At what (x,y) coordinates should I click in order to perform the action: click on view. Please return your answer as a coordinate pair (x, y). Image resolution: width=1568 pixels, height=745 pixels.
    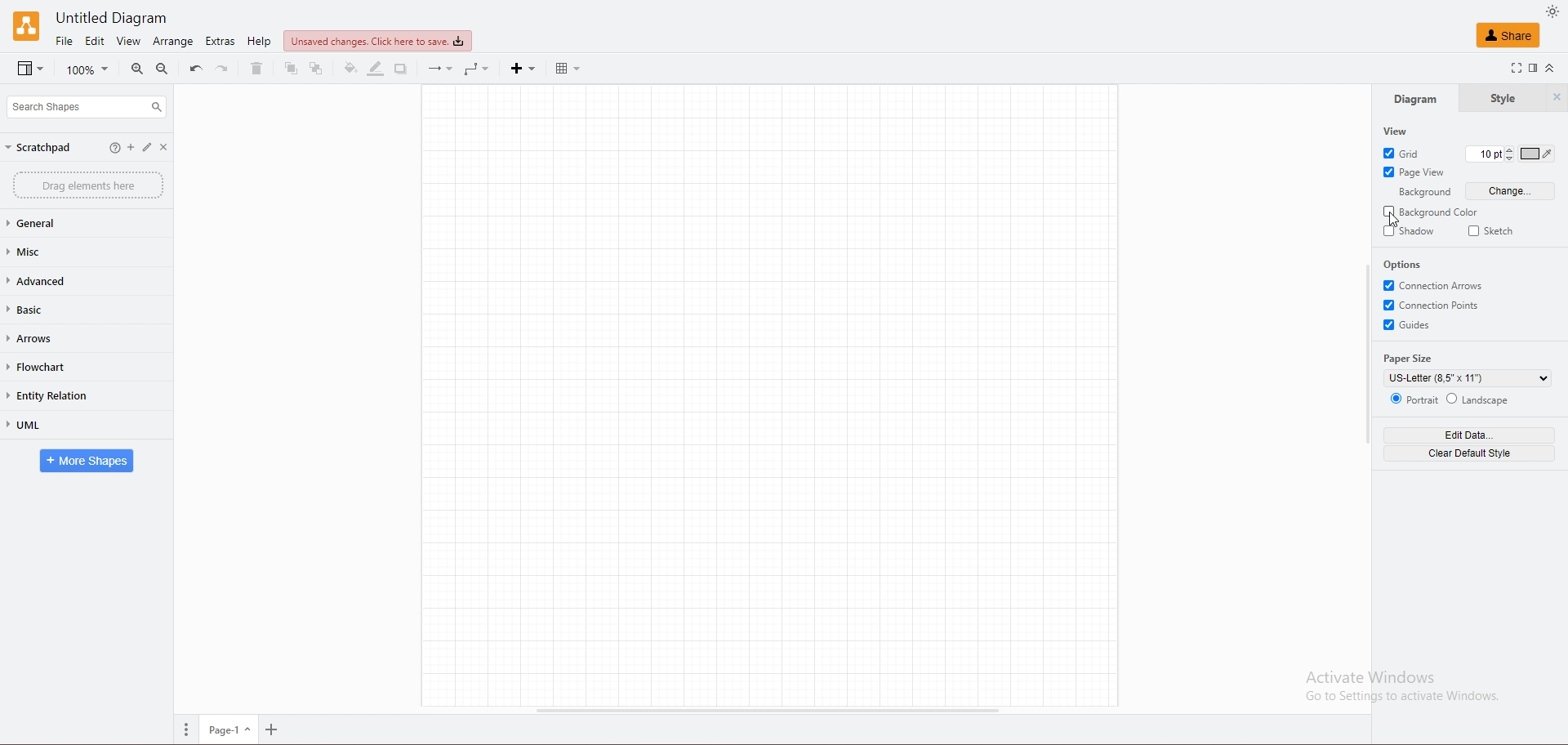
    Looking at the image, I should click on (127, 41).